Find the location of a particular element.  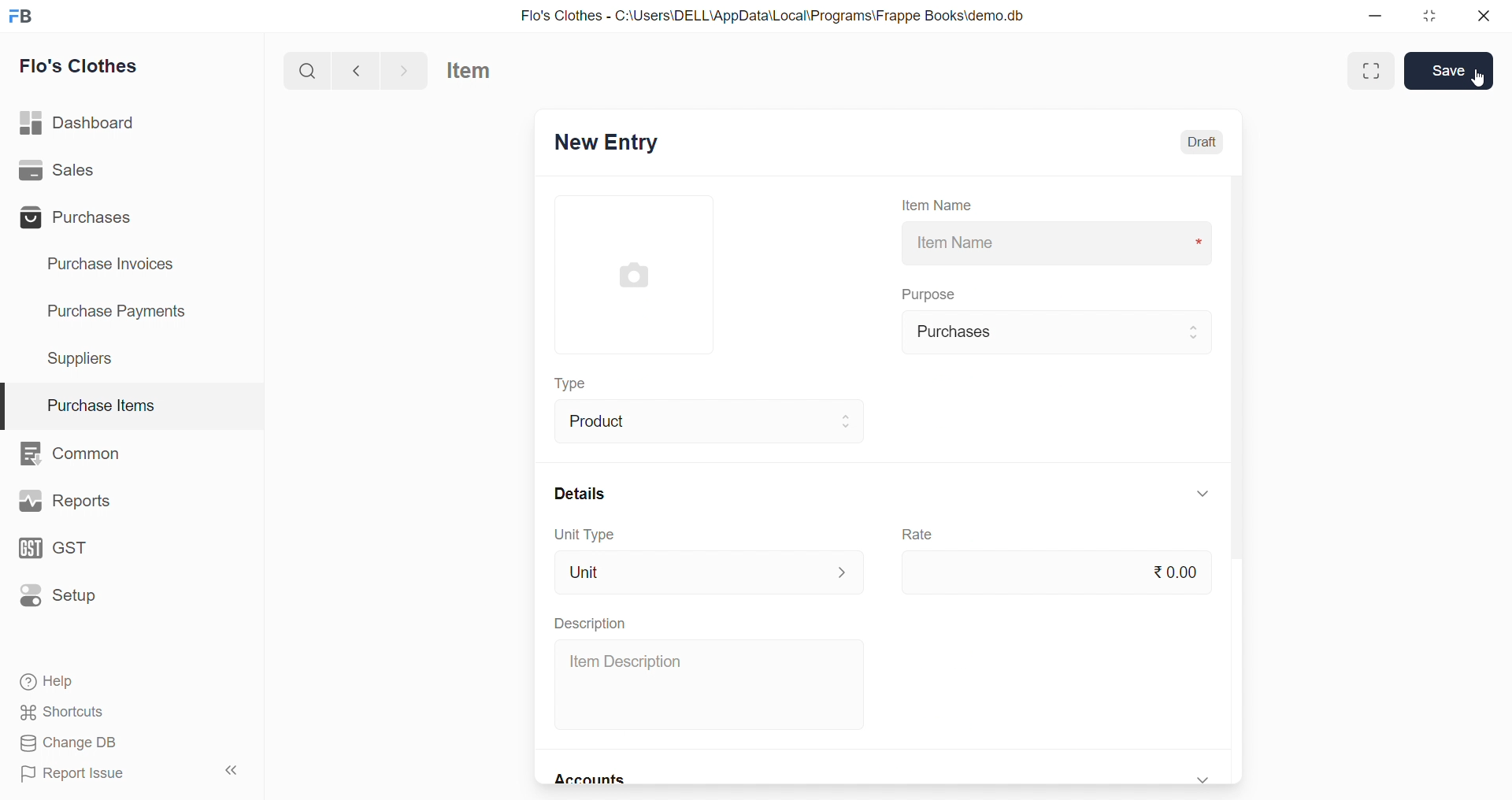

New Entry is located at coordinates (617, 144).